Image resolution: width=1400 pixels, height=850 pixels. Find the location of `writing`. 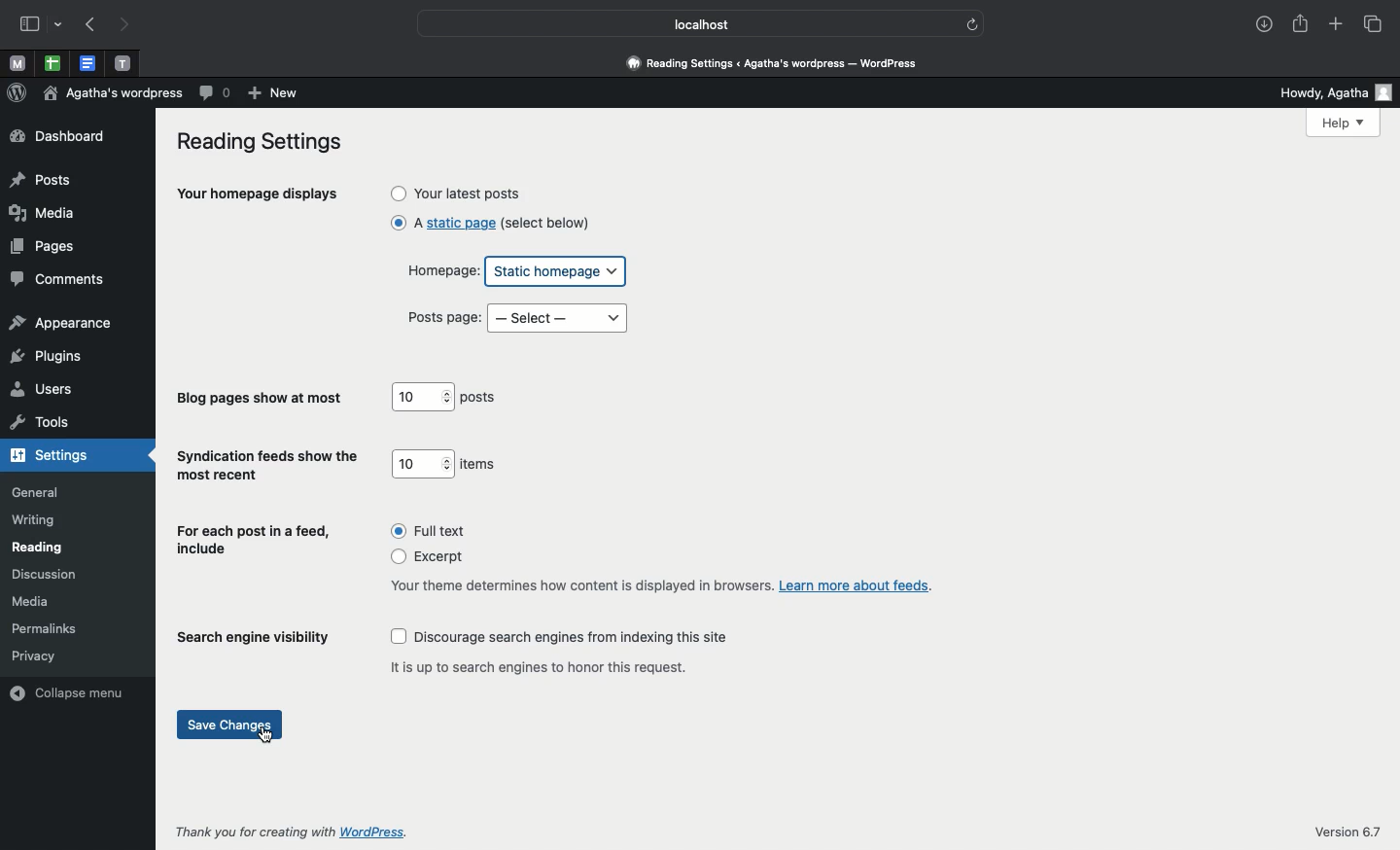

writing is located at coordinates (35, 521).